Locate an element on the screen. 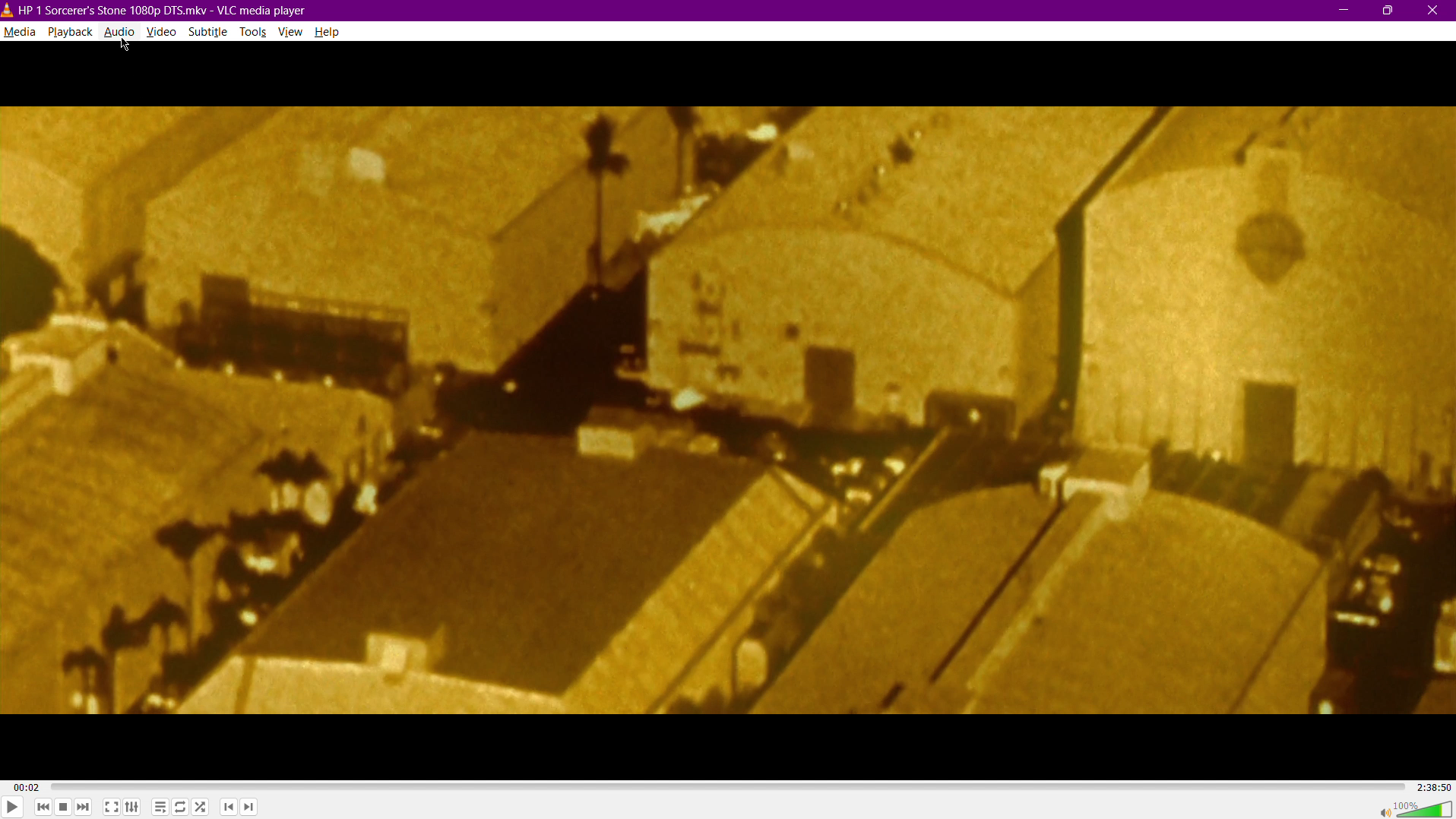  2:38:50 is located at coordinates (1432, 786).